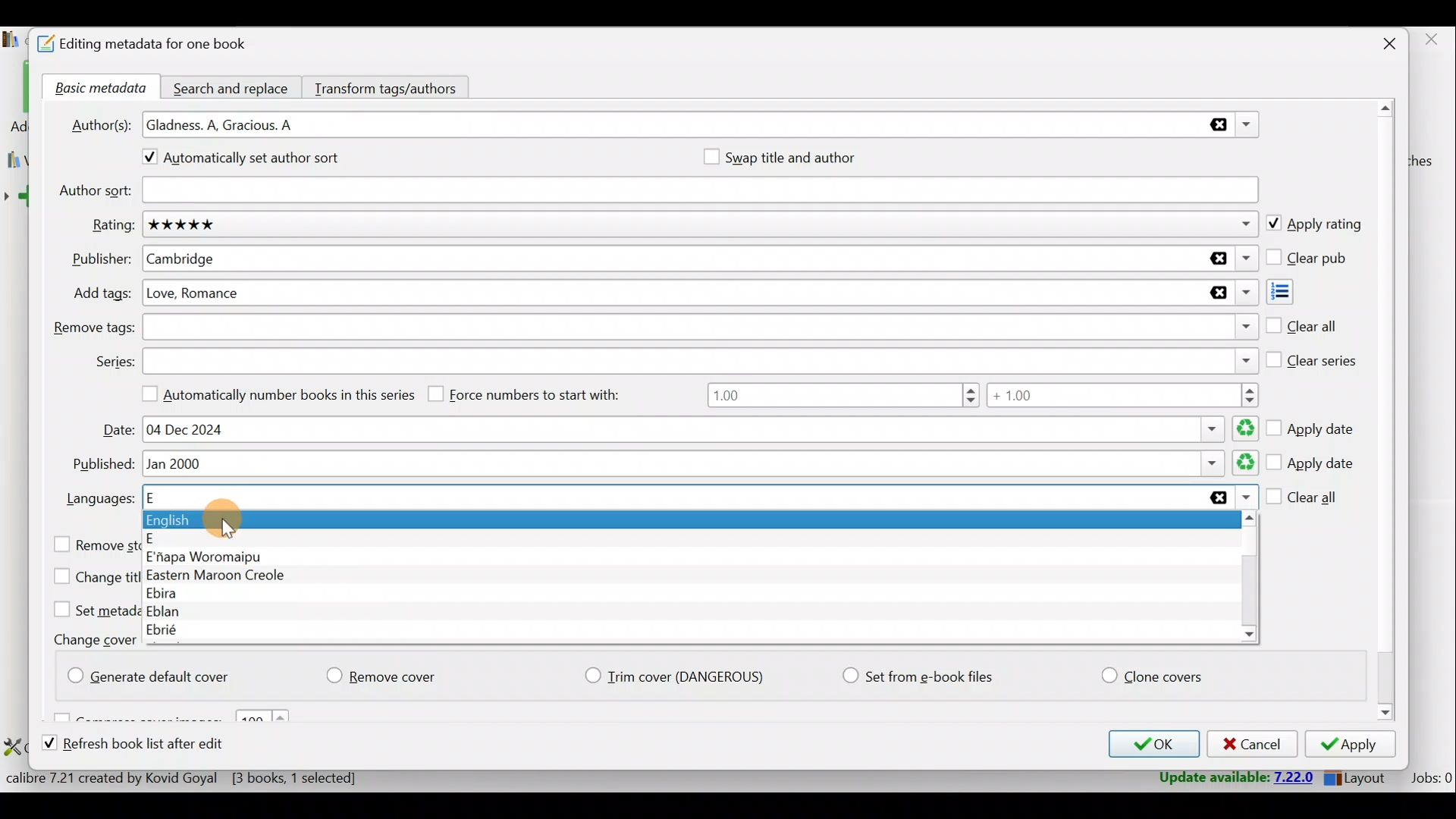 This screenshot has width=1456, height=819. What do you see at coordinates (1313, 225) in the screenshot?
I see `Apply rating` at bounding box center [1313, 225].